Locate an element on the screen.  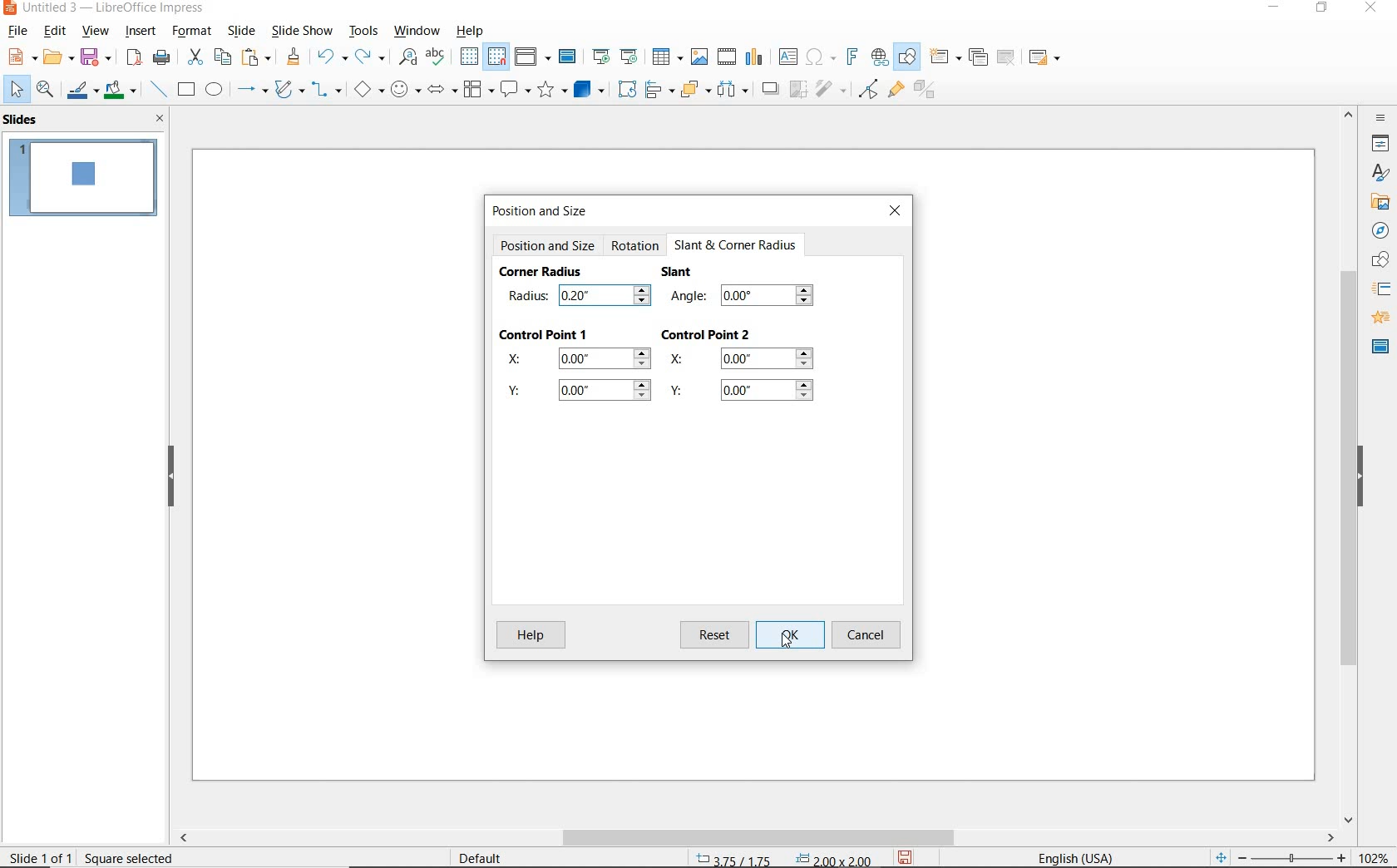
insert frontwork text is located at coordinates (852, 57).